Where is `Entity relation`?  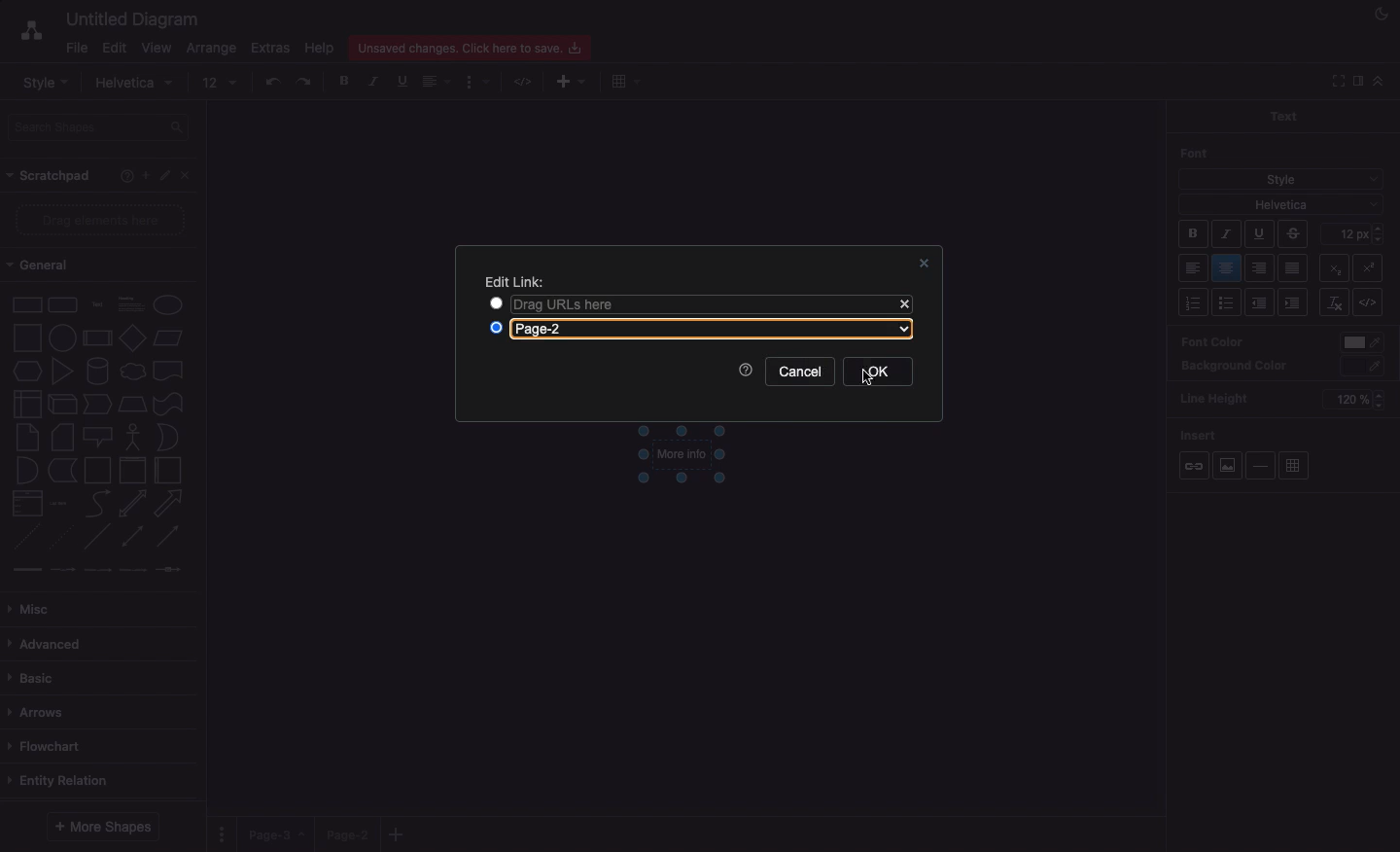
Entity relation is located at coordinates (61, 782).